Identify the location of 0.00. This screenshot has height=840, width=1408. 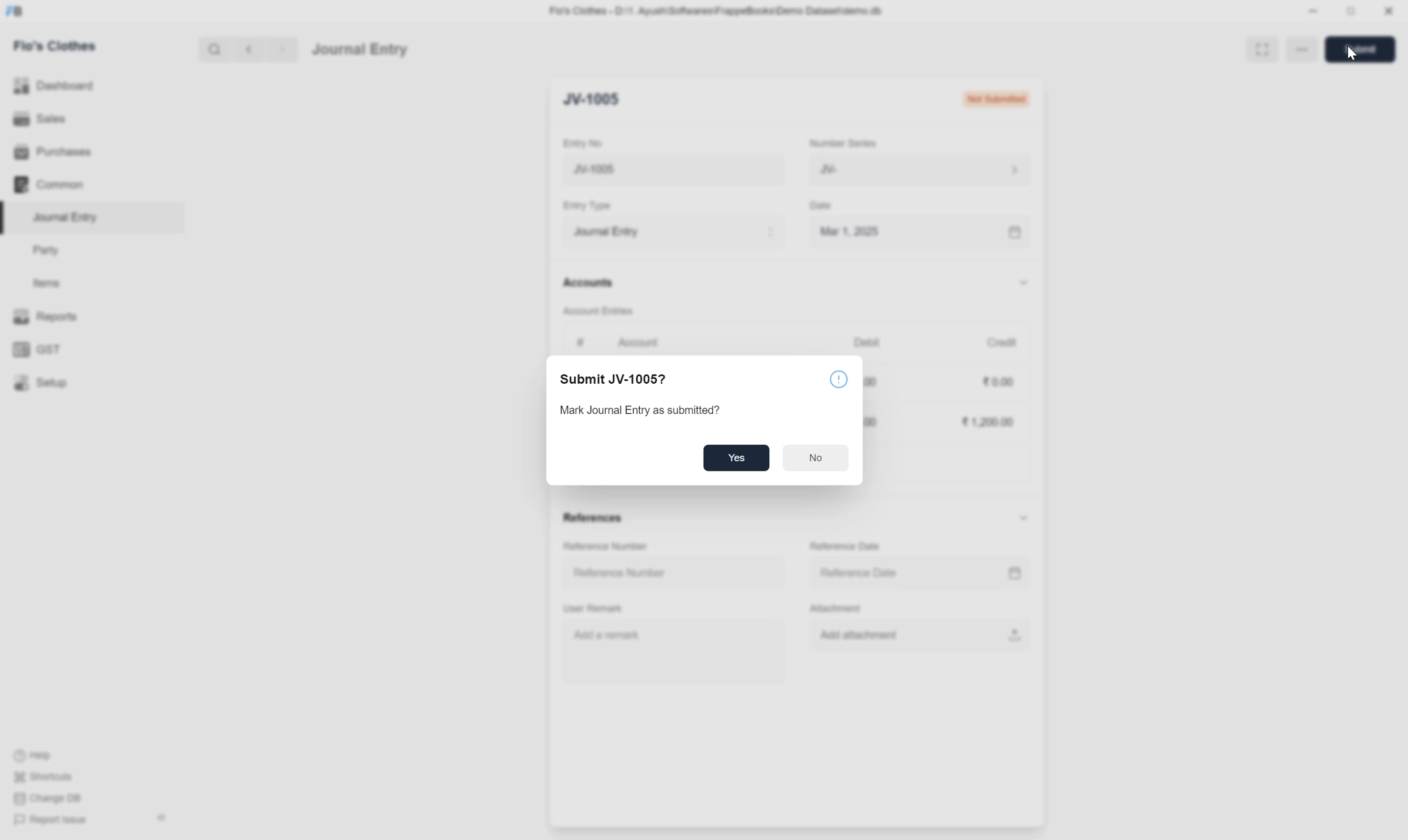
(999, 382).